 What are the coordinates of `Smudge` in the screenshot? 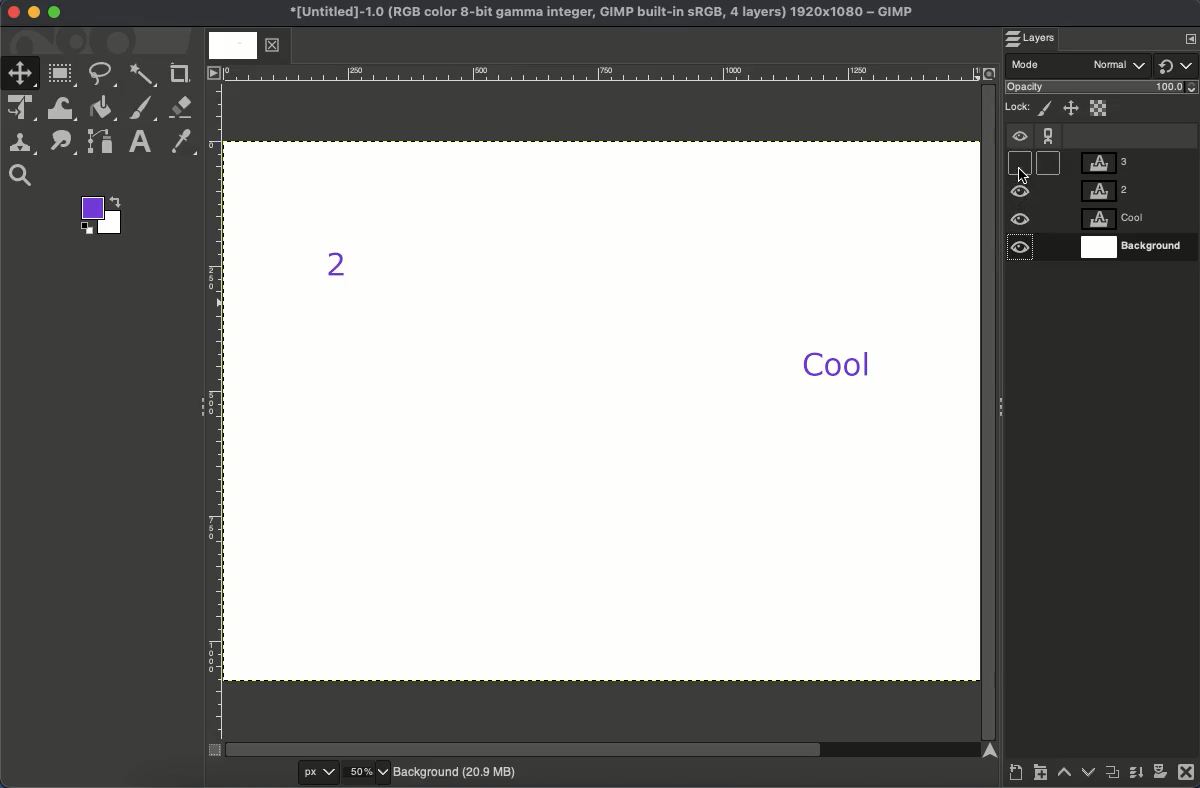 It's located at (61, 143).